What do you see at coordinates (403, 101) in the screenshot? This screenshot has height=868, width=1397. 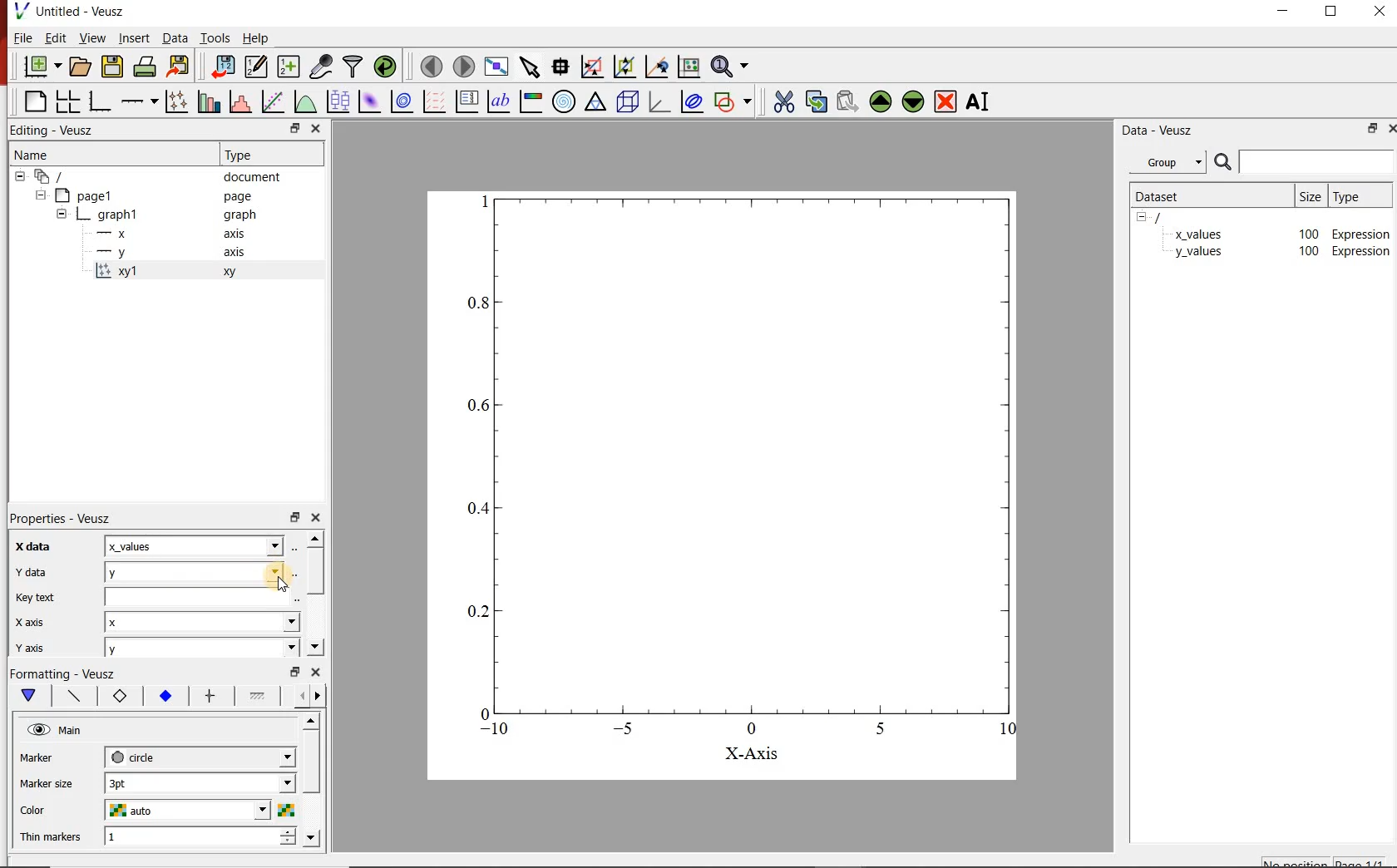 I see `plot 2d dataset as contours` at bounding box center [403, 101].